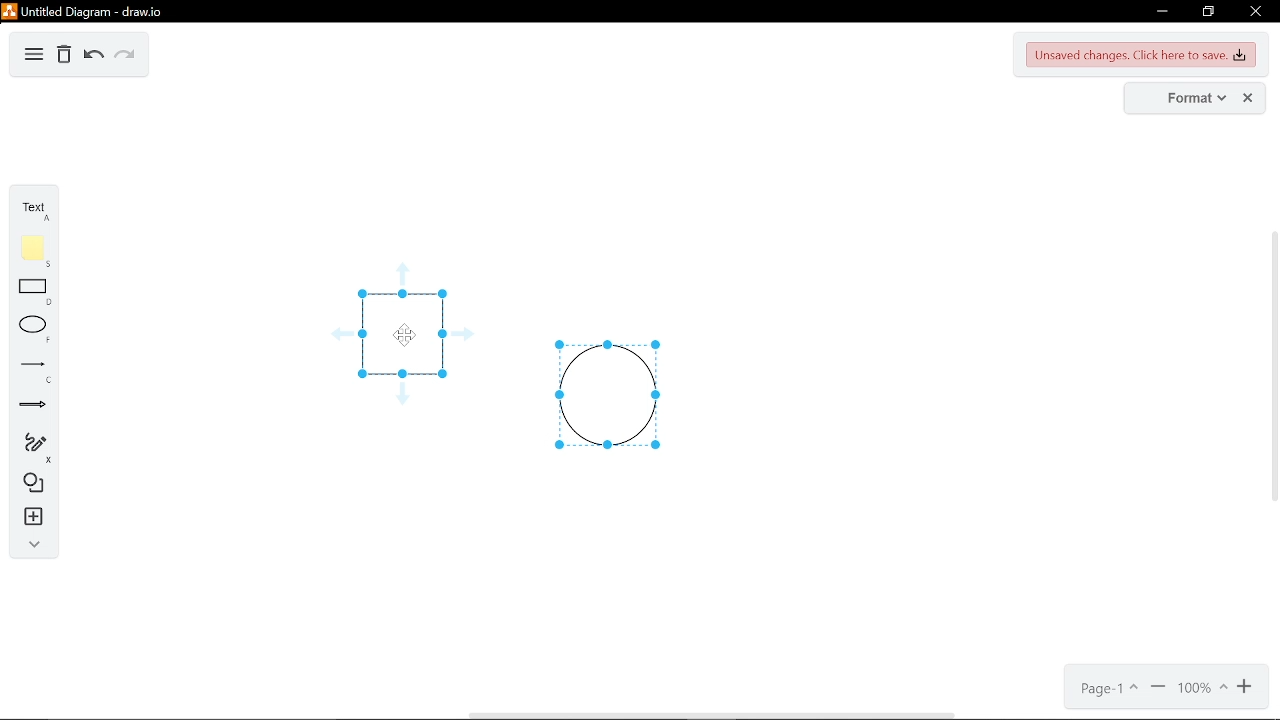 The height and width of the screenshot is (720, 1280). I want to click on undo, so click(95, 55).